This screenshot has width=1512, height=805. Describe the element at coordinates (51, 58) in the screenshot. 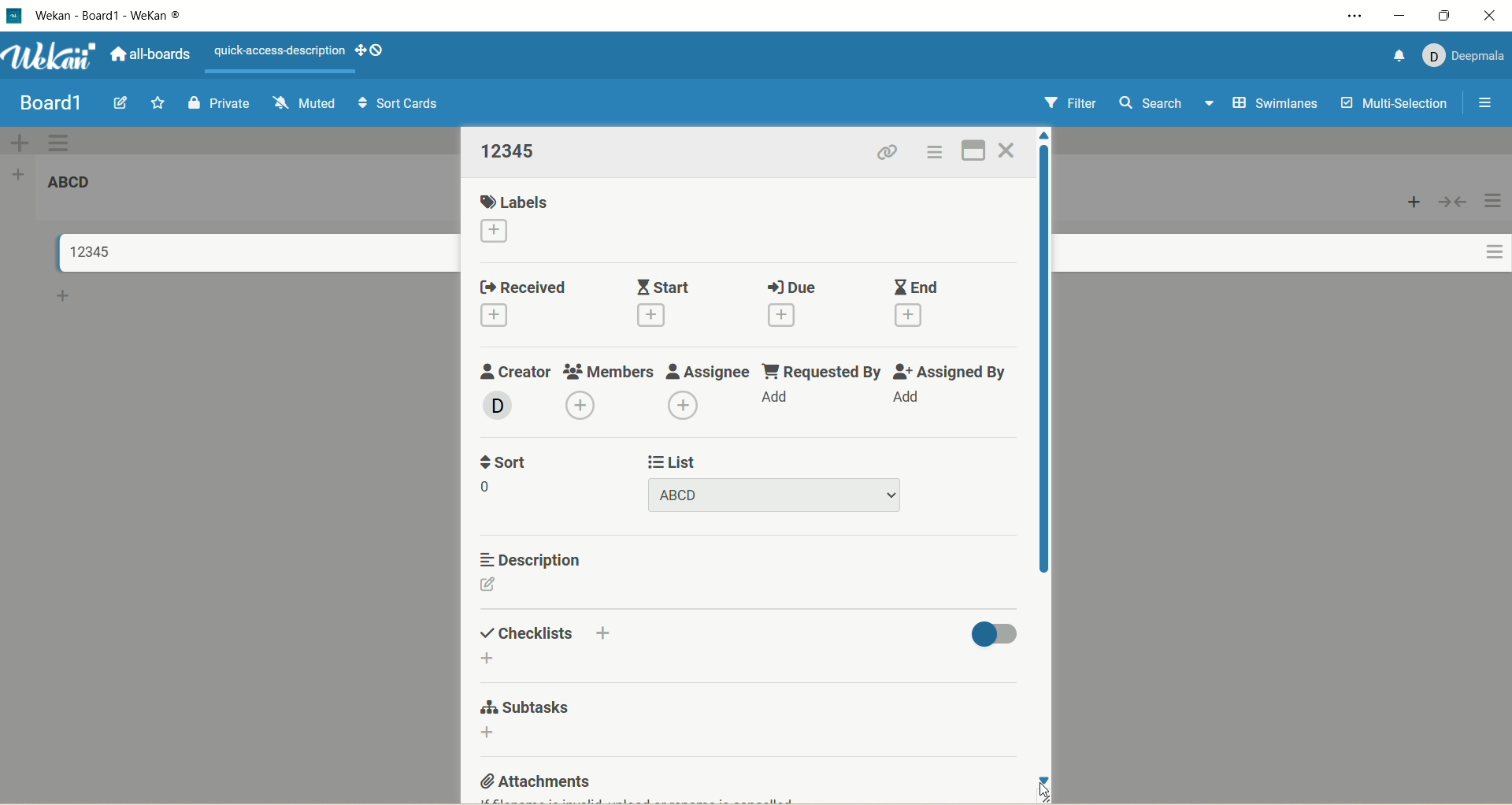

I see `wekan` at that location.